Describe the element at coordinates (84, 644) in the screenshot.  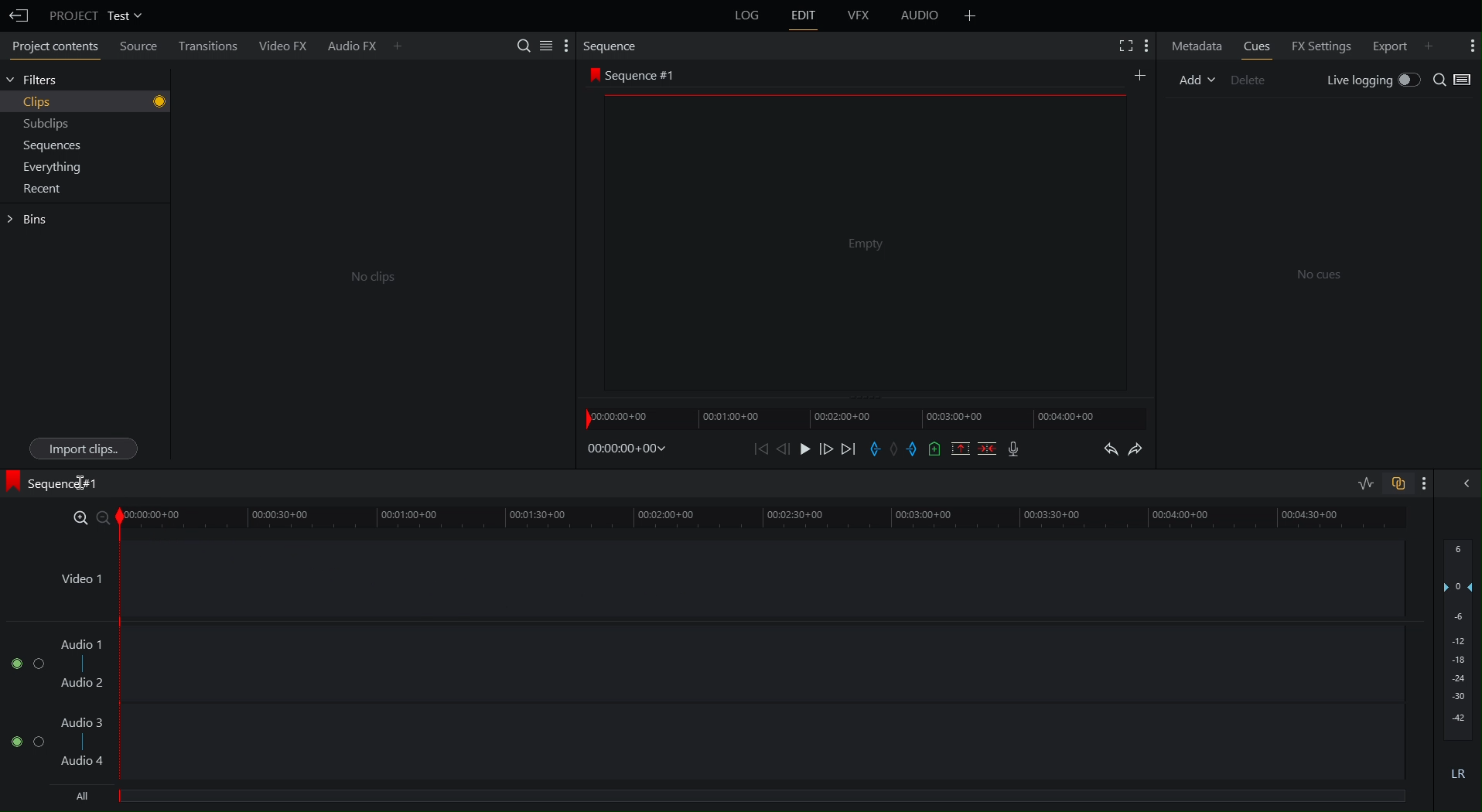
I see `Audio 1` at that location.